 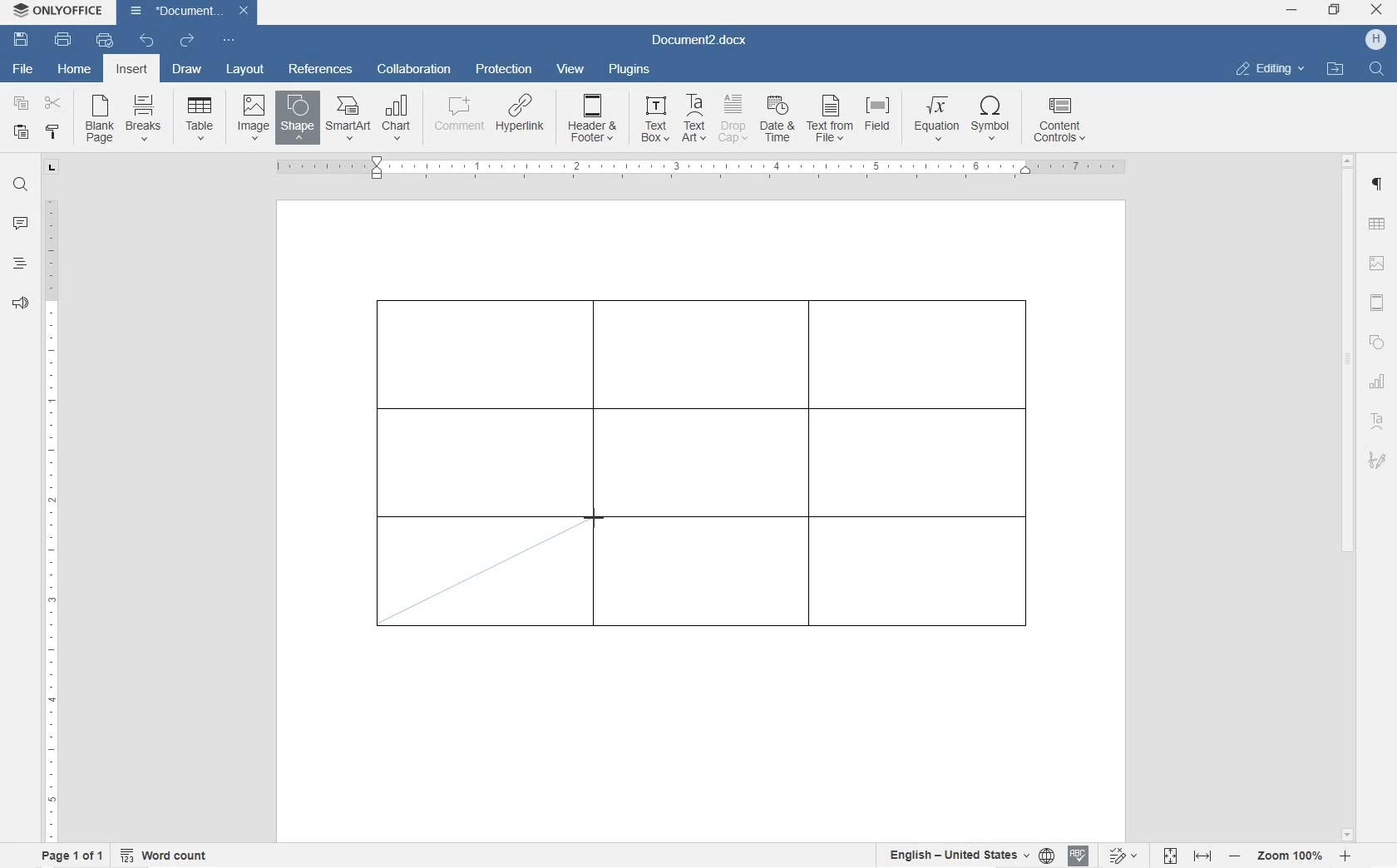 What do you see at coordinates (573, 70) in the screenshot?
I see `view` at bounding box center [573, 70].